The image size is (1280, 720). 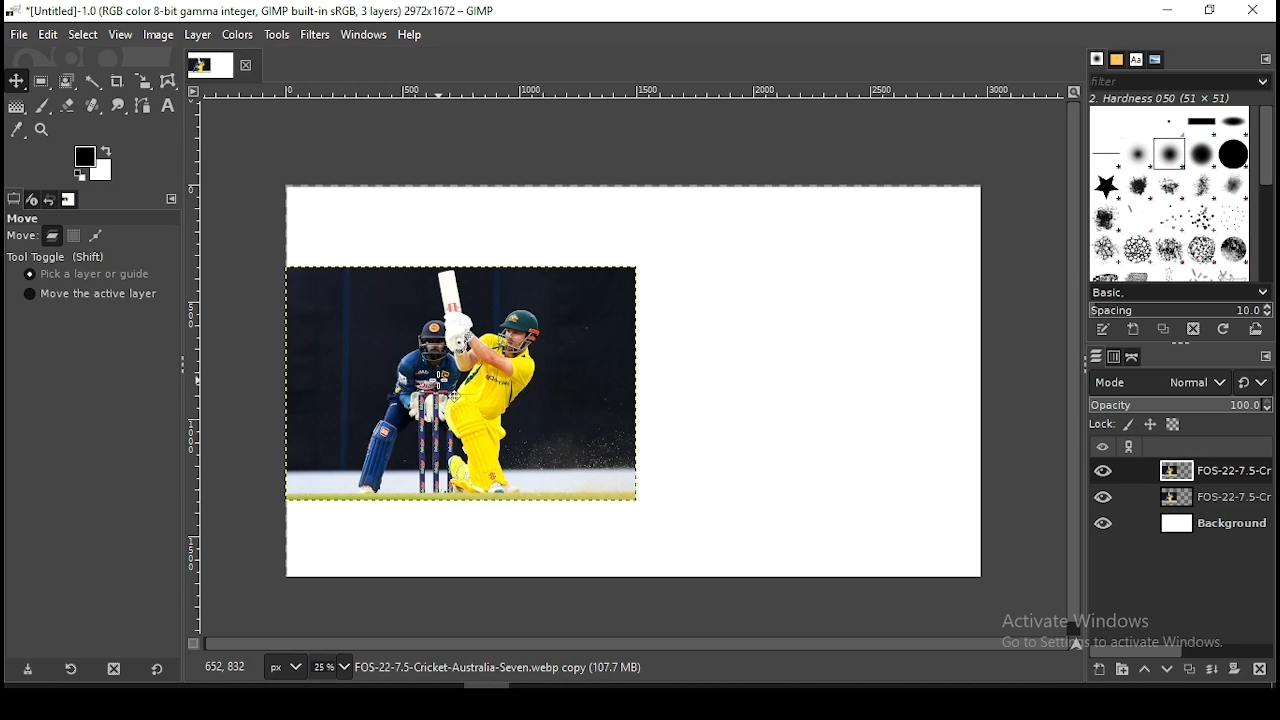 I want to click on scale, so click(x=196, y=366).